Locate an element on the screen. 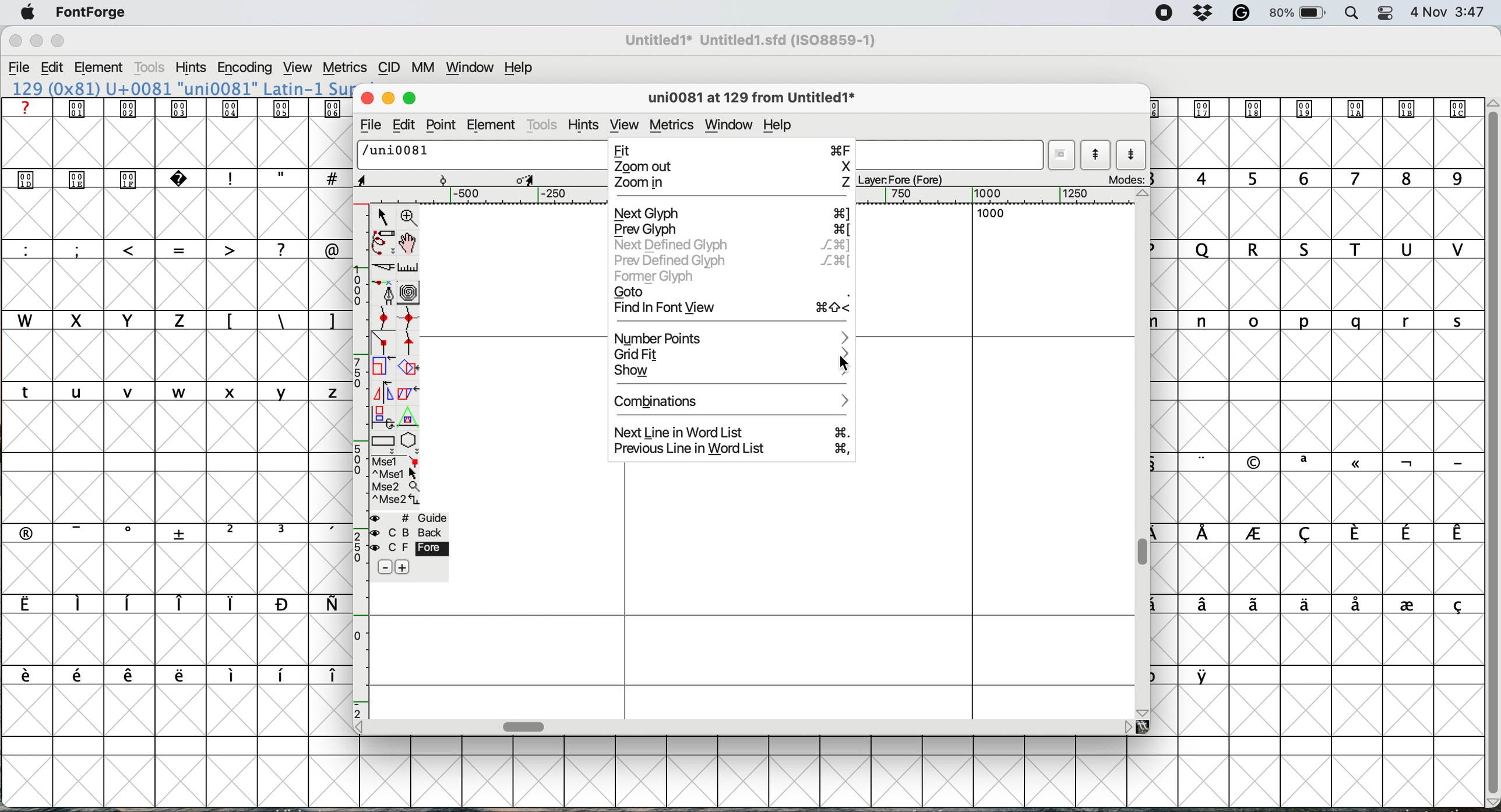 Image resolution: width=1501 pixels, height=812 pixels. Untitled1* Untitled1.sfd (ISO8859-1) is located at coordinates (751, 40).